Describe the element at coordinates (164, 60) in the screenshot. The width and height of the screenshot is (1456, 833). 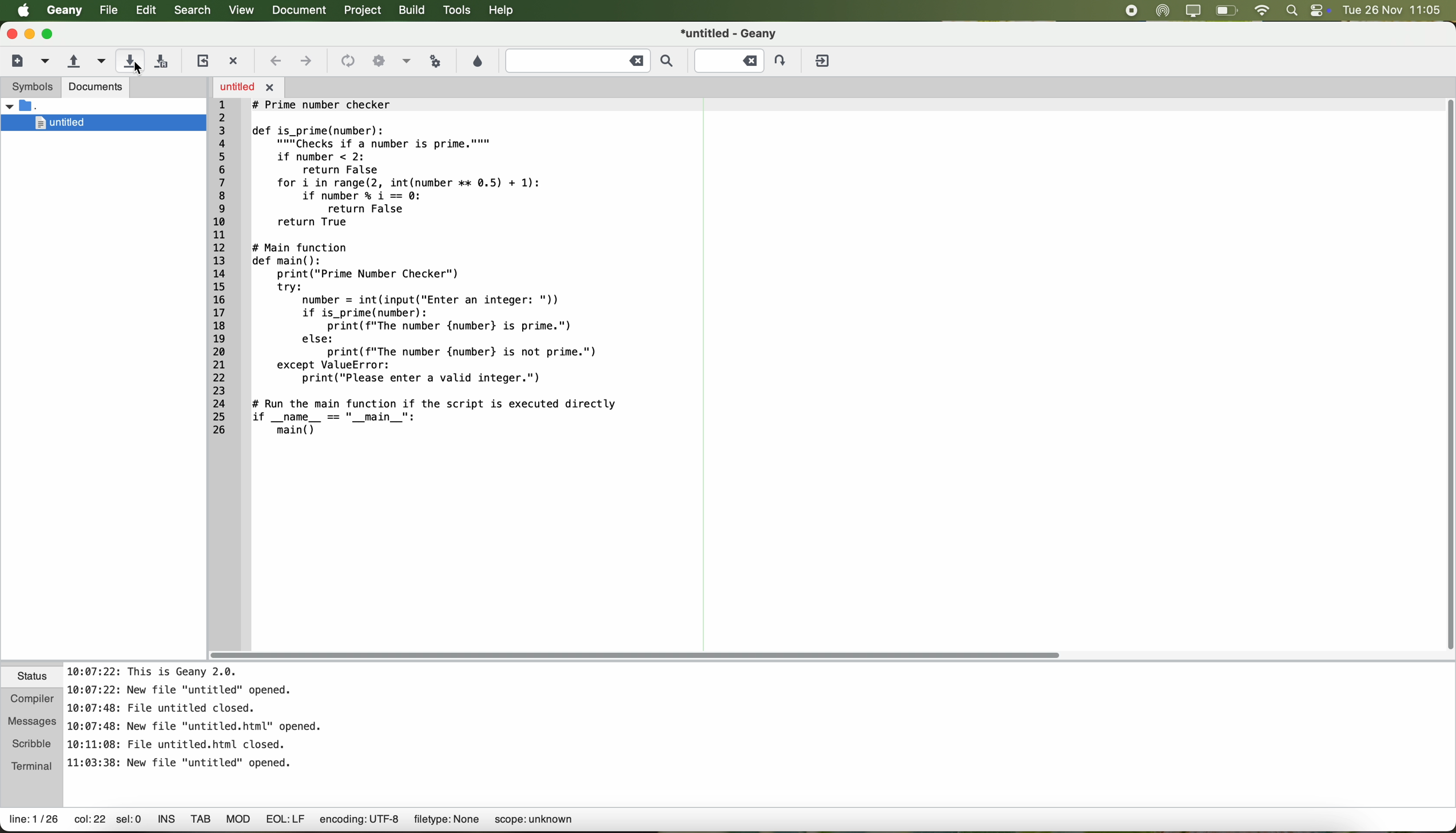
I see `save all open files` at that location.